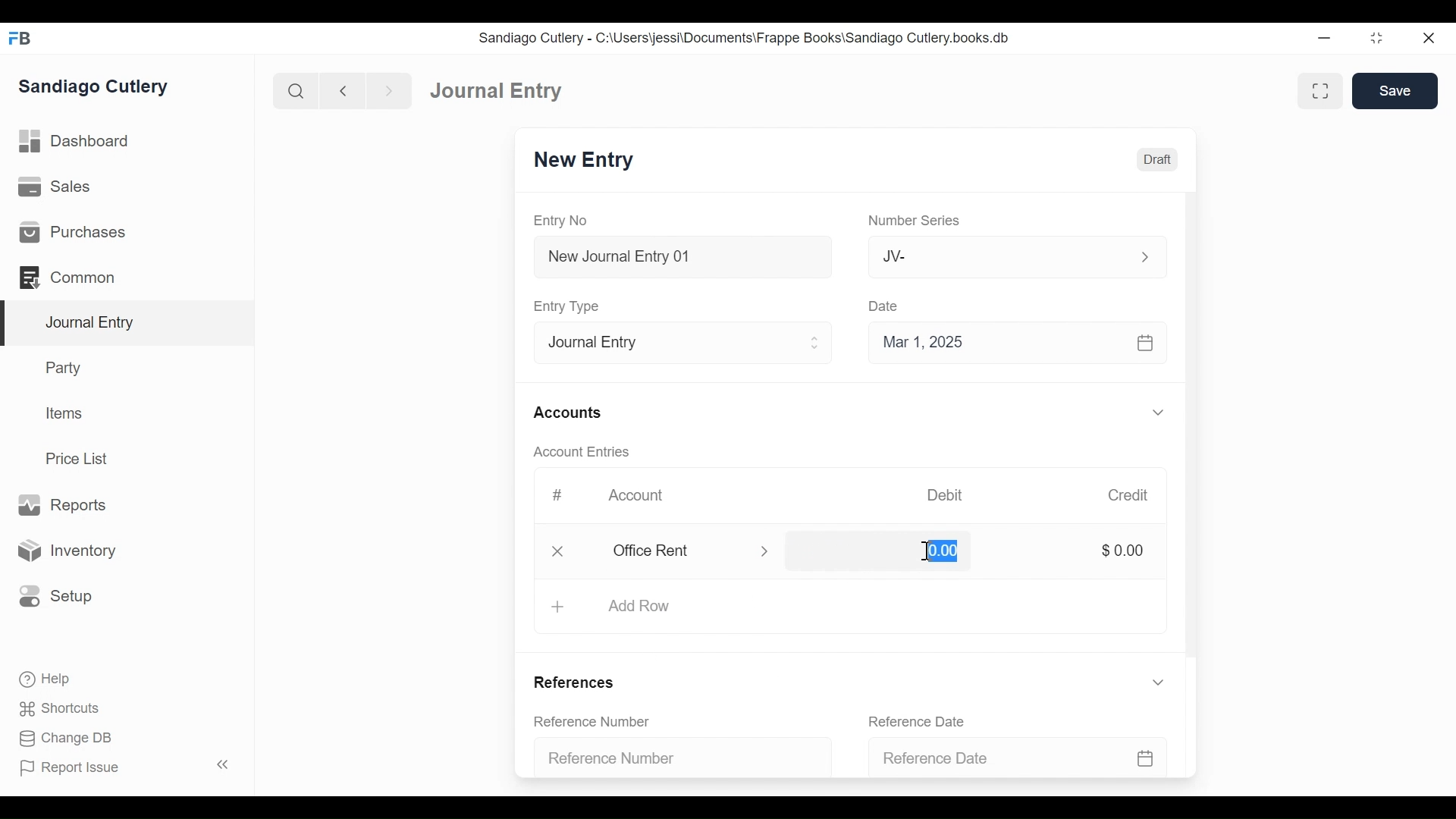 This screenshot has height=819, width=1456. Describe the element at coordinates (707, 551) in the screenshot. I see `office rent` at that location.